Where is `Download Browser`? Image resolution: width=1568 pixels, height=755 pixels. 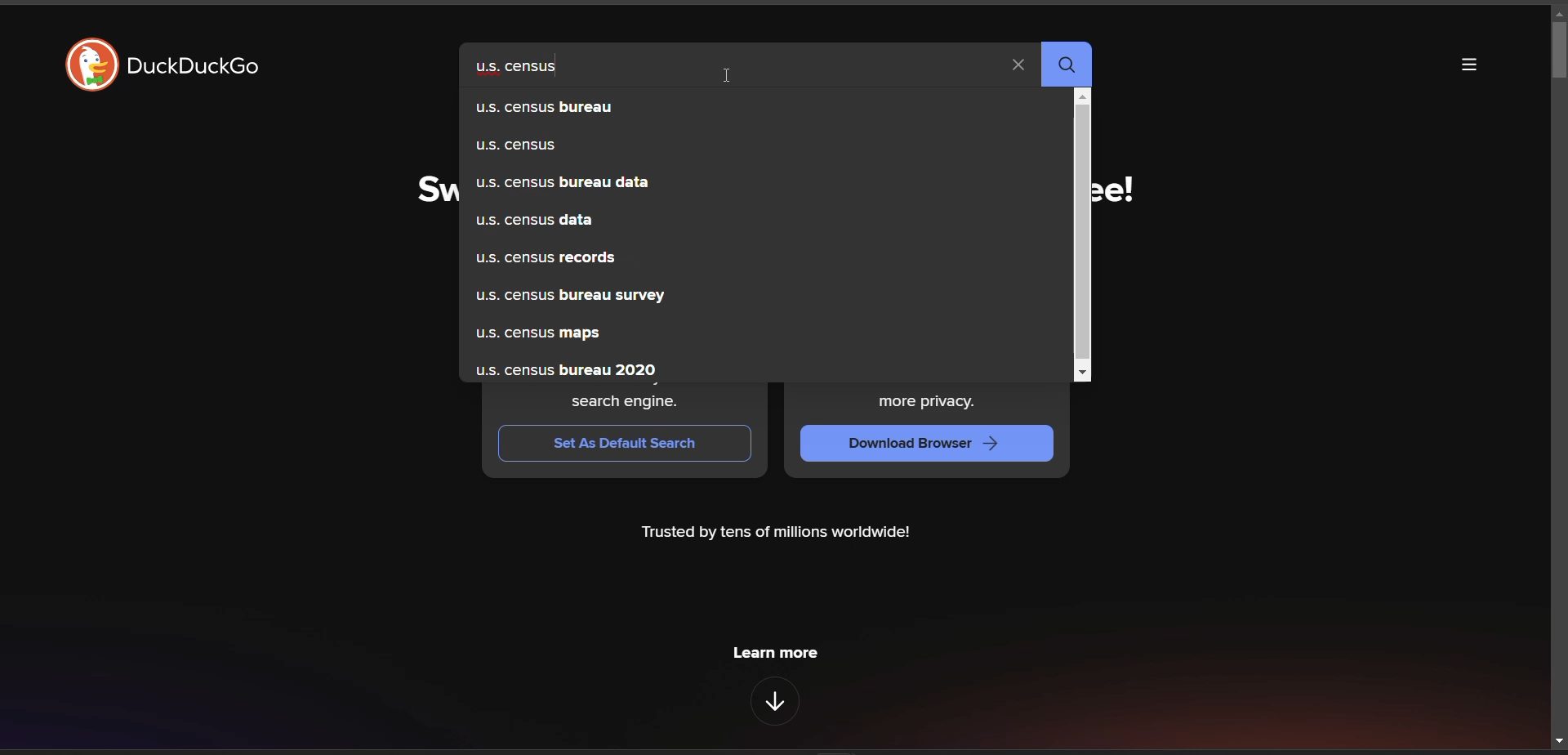
Download Browser is located at coordinates (928, 445).